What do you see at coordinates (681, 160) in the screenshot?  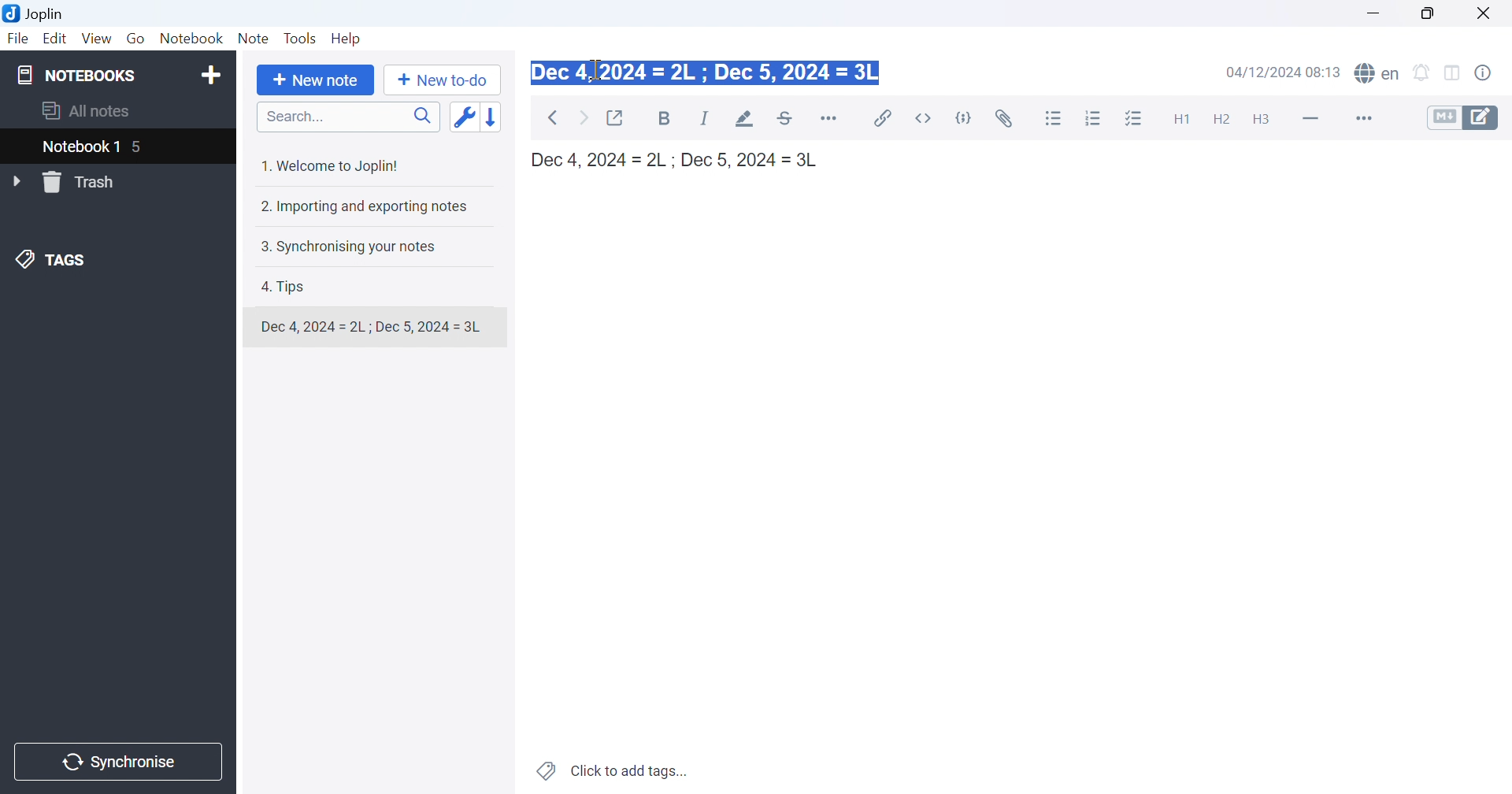 I see `Dec 4, 2024 = 2L ; Dec 5, 2024 = 3L` at bounding box center [681, 160].